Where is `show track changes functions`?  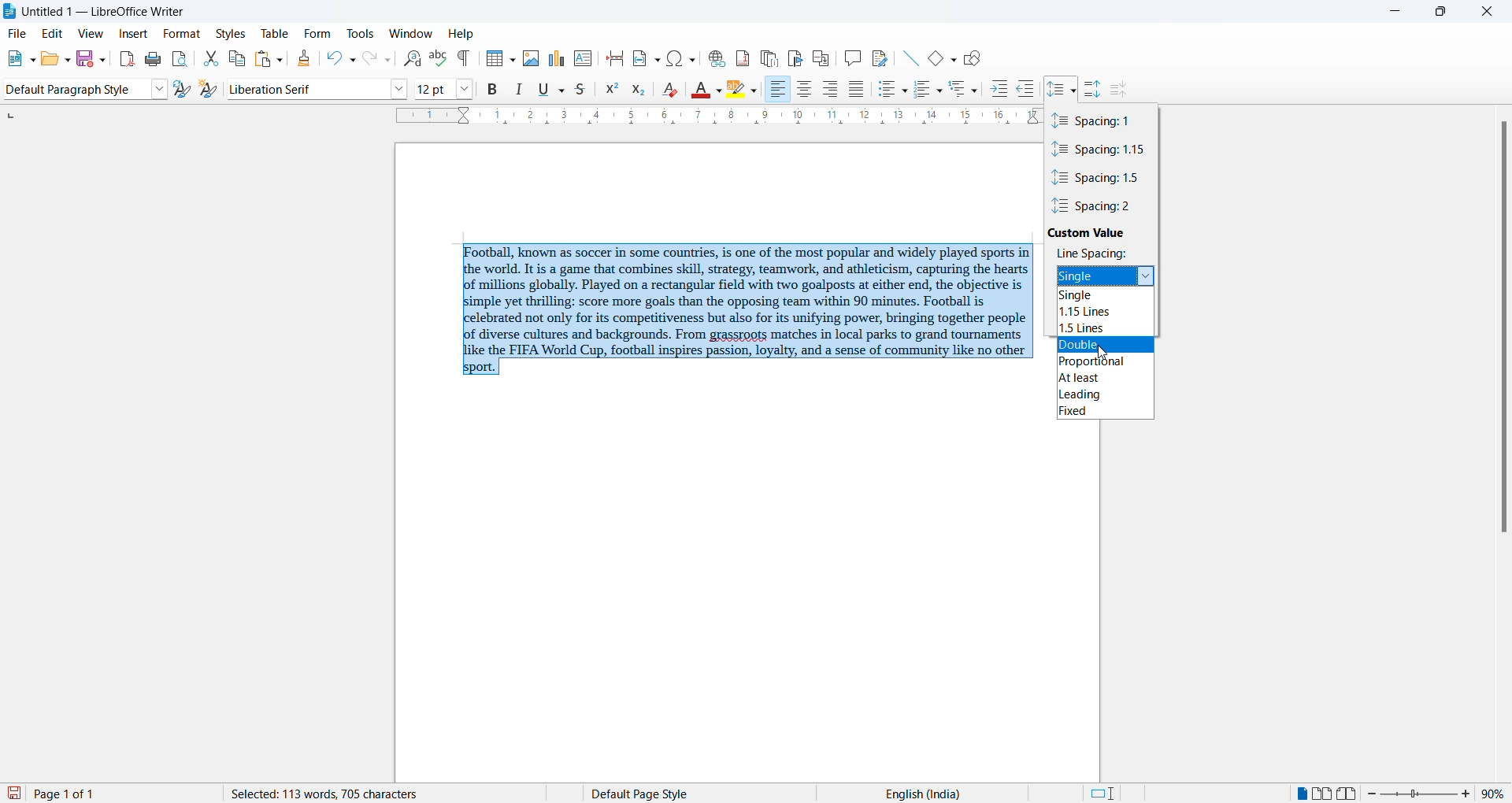 show track changes functions is located at coordinates (880, 58).